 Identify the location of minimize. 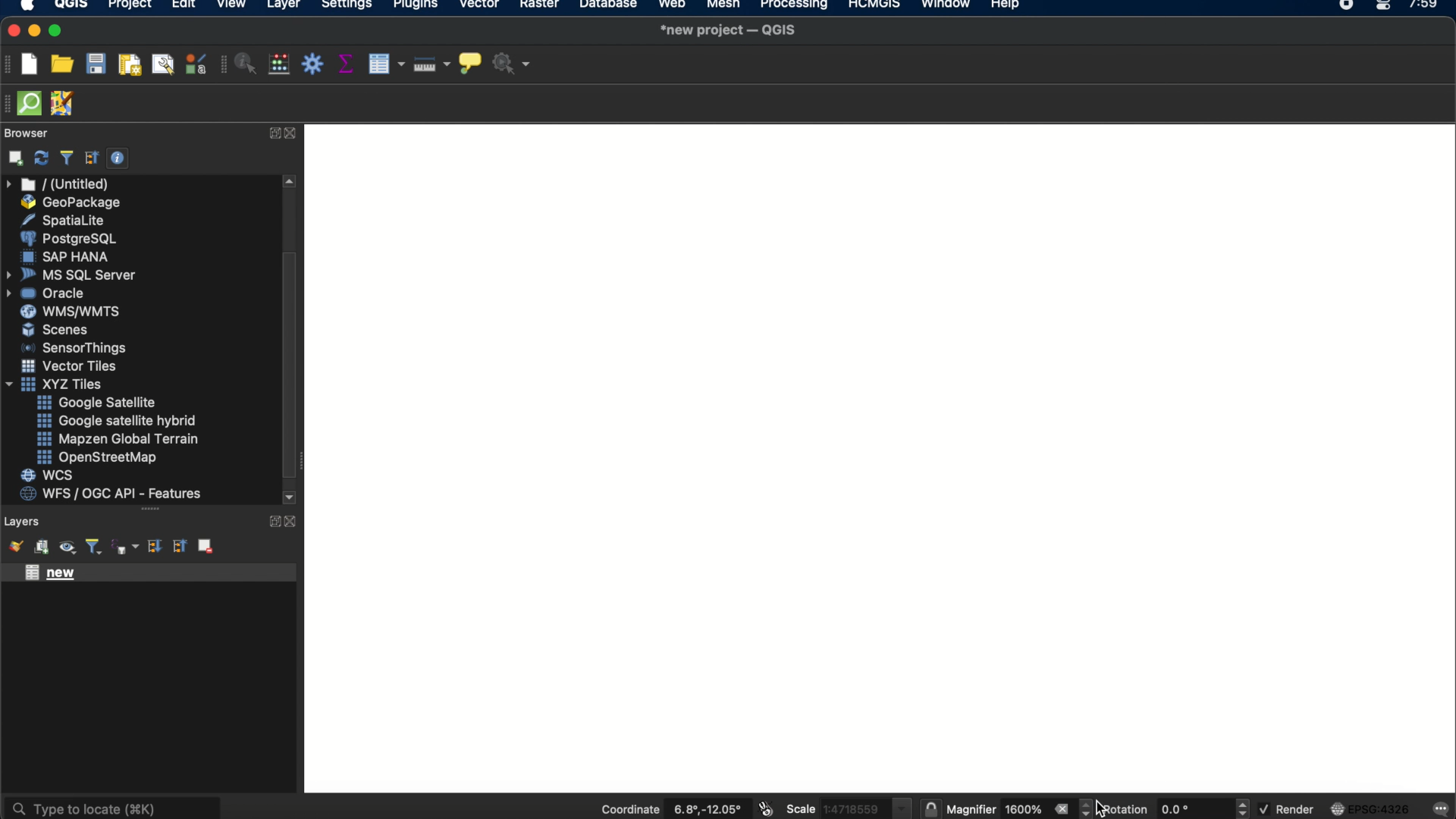
(34, 31).